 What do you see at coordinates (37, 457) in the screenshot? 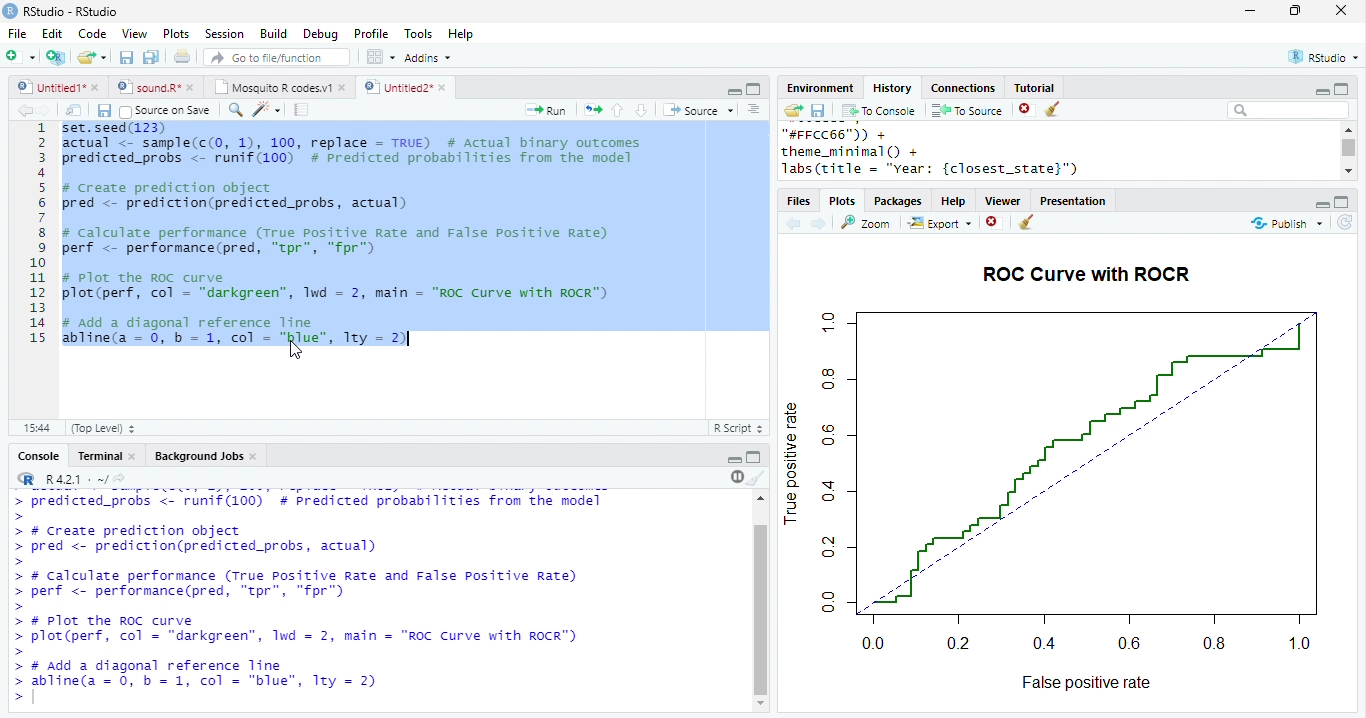
I see `console` at bounding box center [37, 457].